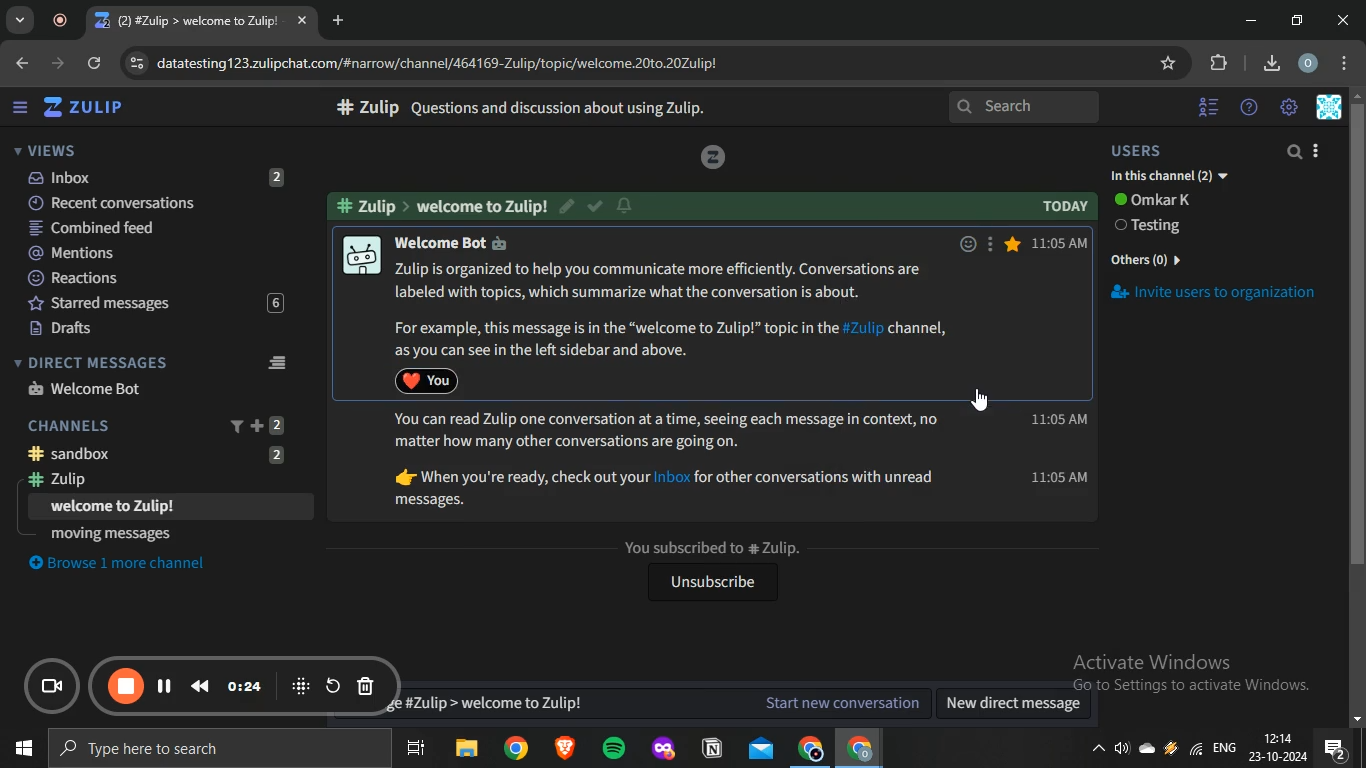  I want to click on show hidden icons, so click(1097, 754).